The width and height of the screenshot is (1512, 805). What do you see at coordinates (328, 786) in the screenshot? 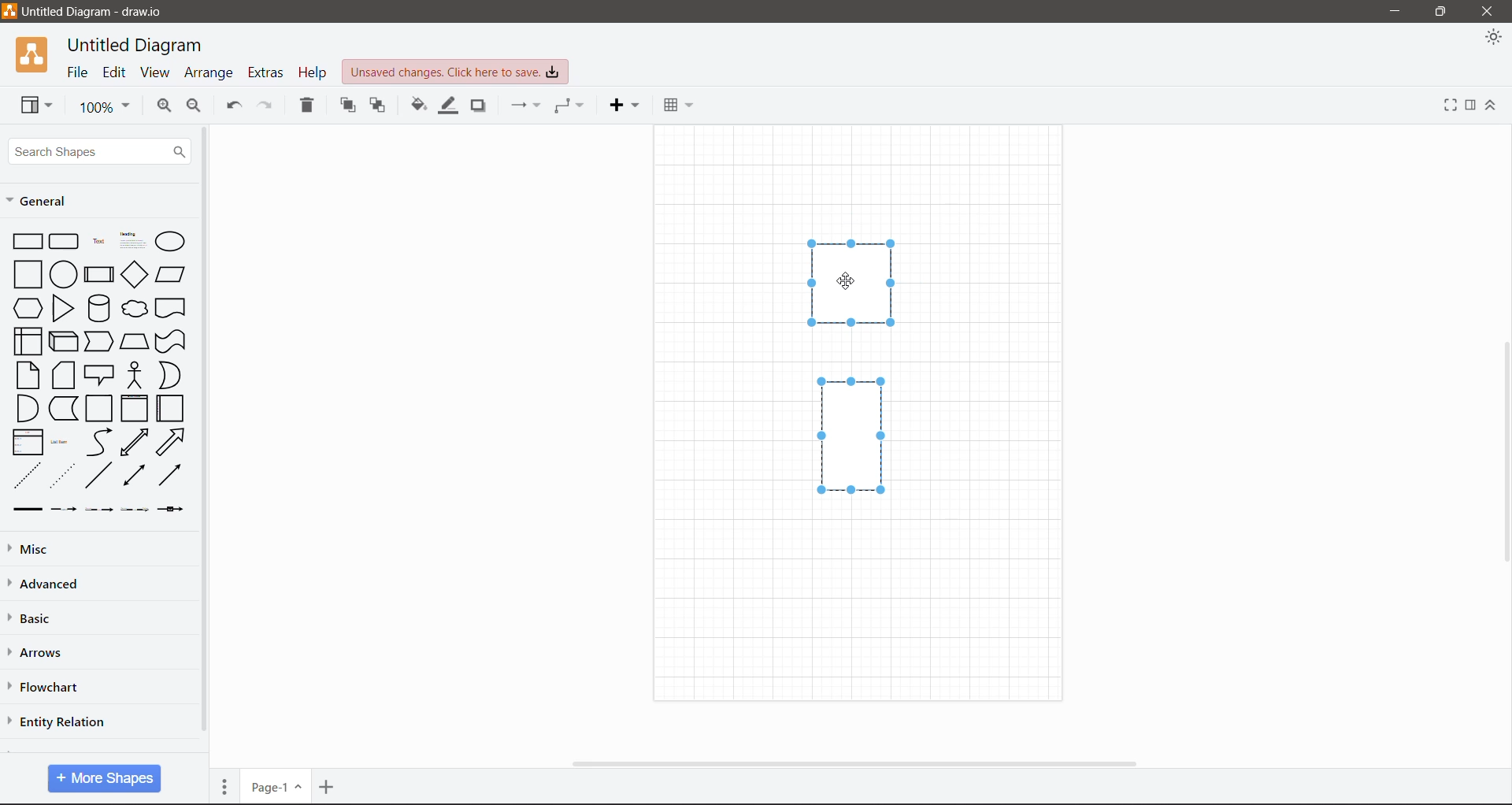
I see `Insert Page` at bounding box center [328, 786].